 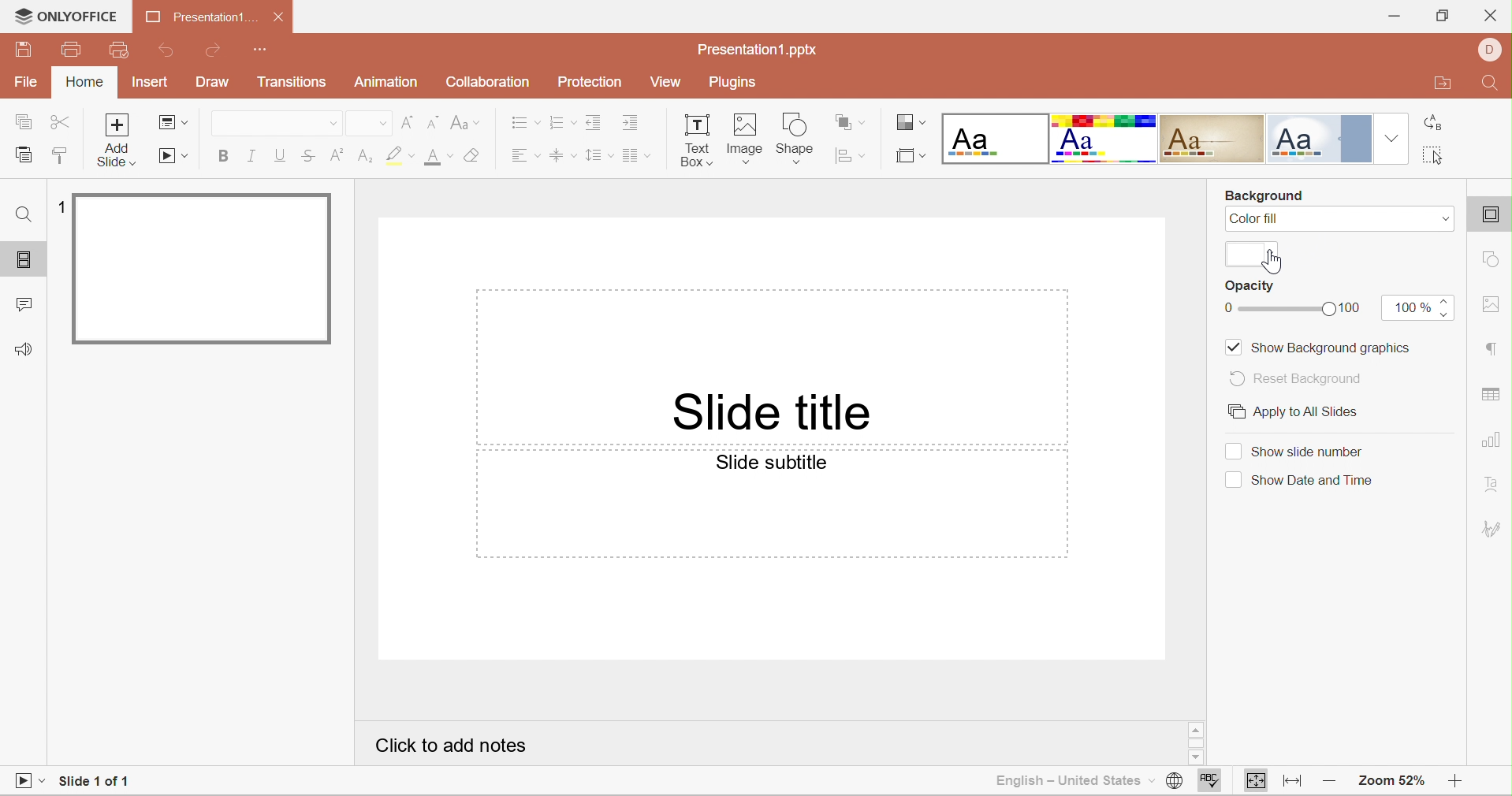 I want to click on Slide 1 of 1, so click(x=92, y=783).